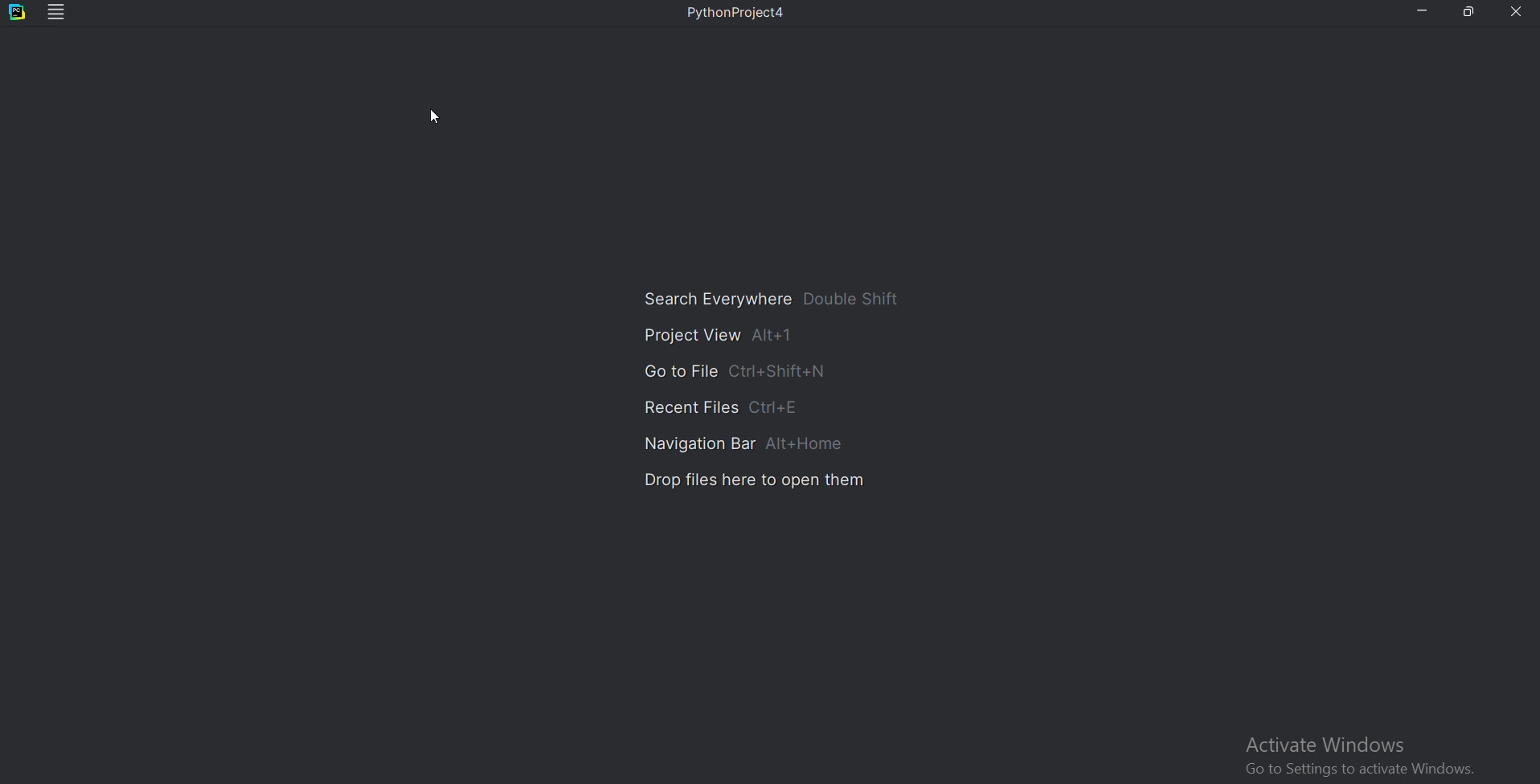  What do you see at coordinates (57, 14) in the screenshot?
I see `main menu` at bounding box center [57, 14].